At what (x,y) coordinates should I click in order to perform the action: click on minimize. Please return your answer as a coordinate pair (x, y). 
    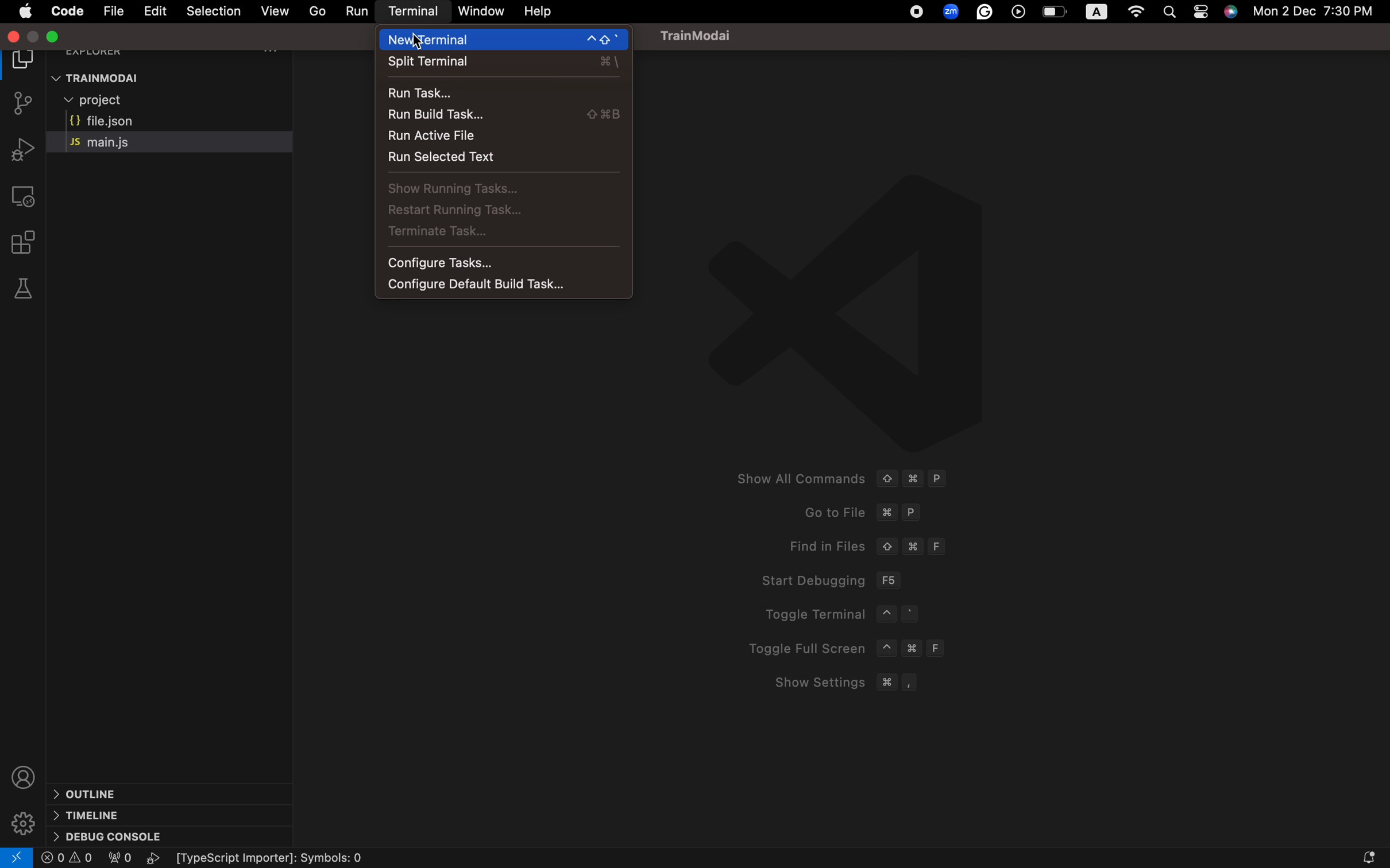
    Looking at the image, I should click on (59, 37).